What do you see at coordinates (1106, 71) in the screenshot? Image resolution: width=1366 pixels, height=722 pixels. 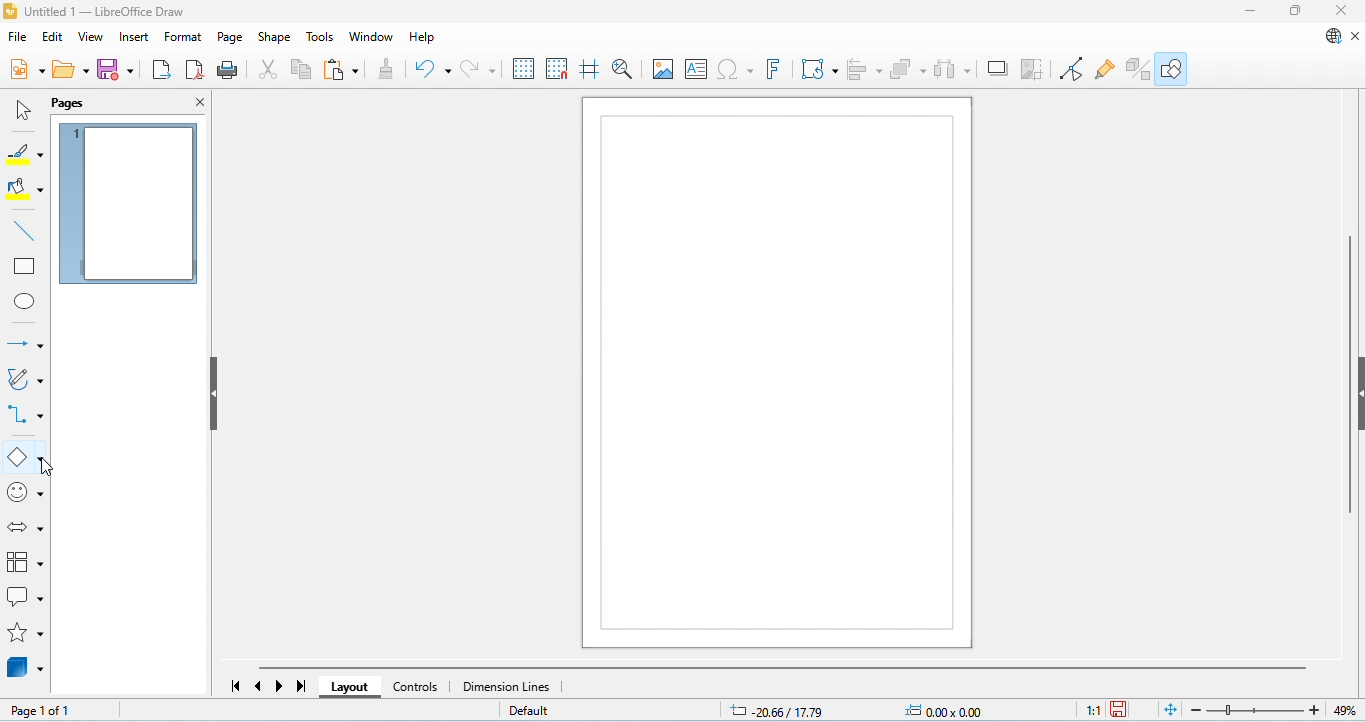 I see `show gluepoint functions` at bounding box center [1106, 71].